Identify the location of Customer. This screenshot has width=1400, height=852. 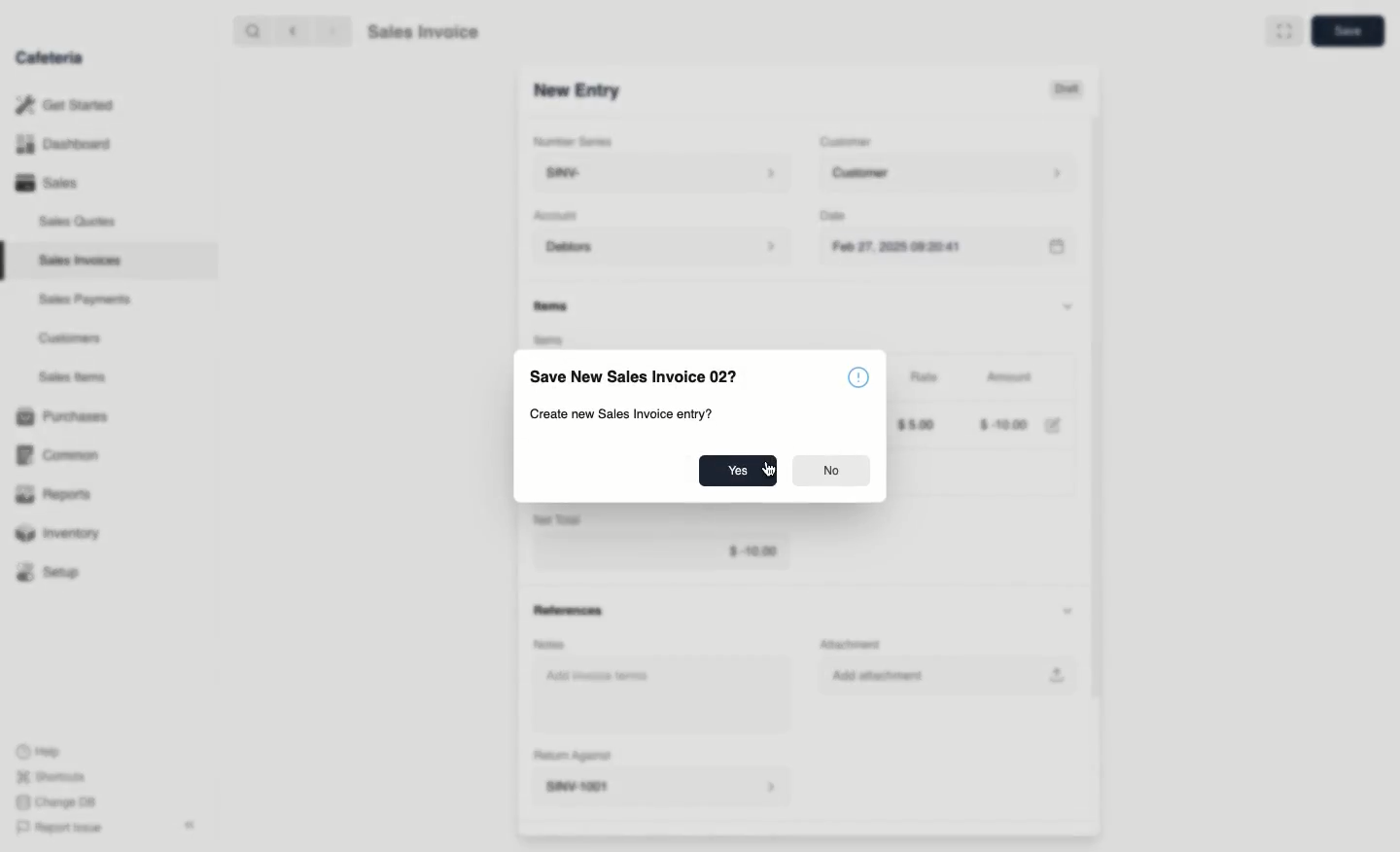
(954, 174).